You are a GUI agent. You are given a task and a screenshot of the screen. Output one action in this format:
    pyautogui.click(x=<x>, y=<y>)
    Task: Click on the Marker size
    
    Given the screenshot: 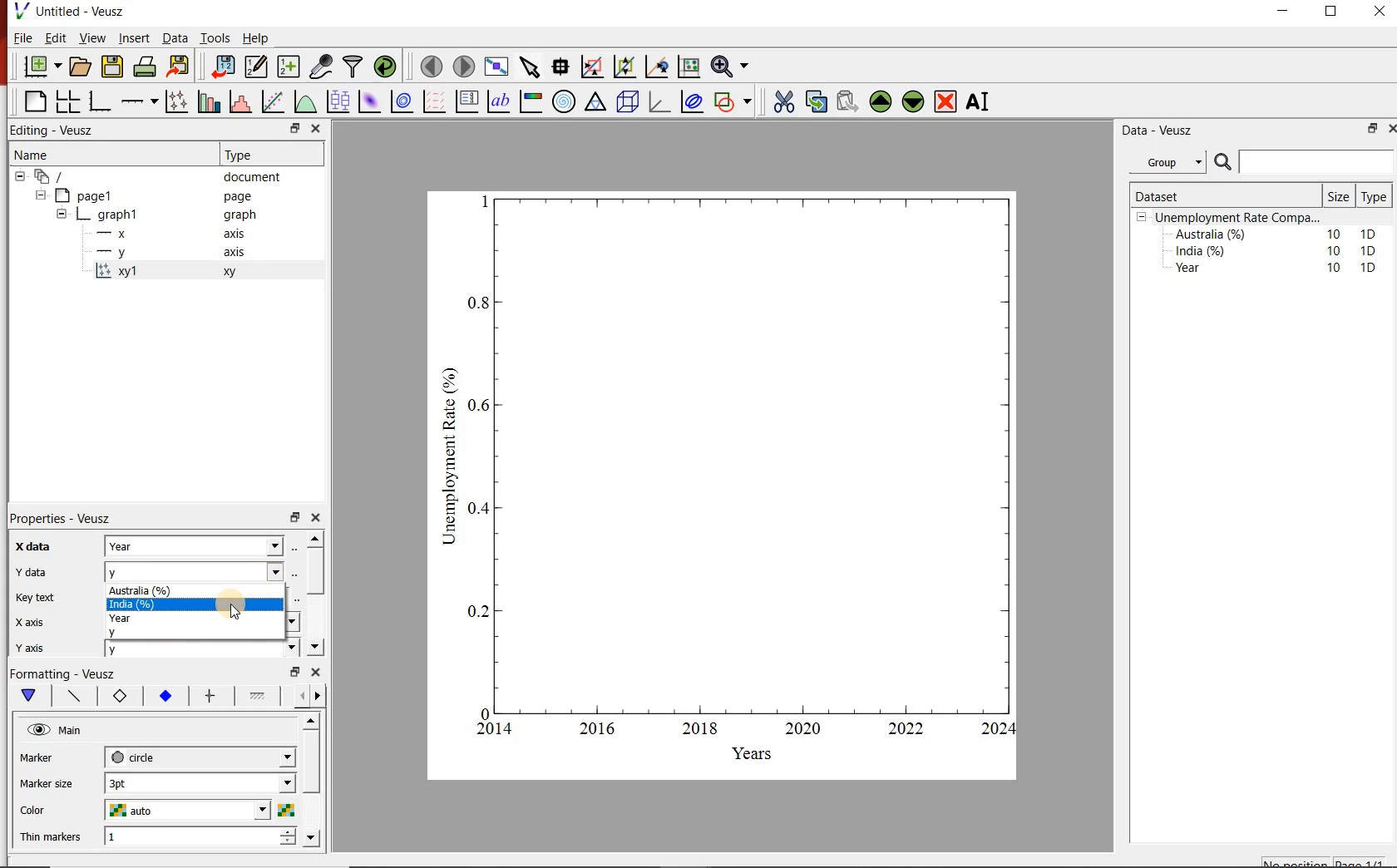 What is the action you would take?
    pyautogui.click(x=48, y=782)
    